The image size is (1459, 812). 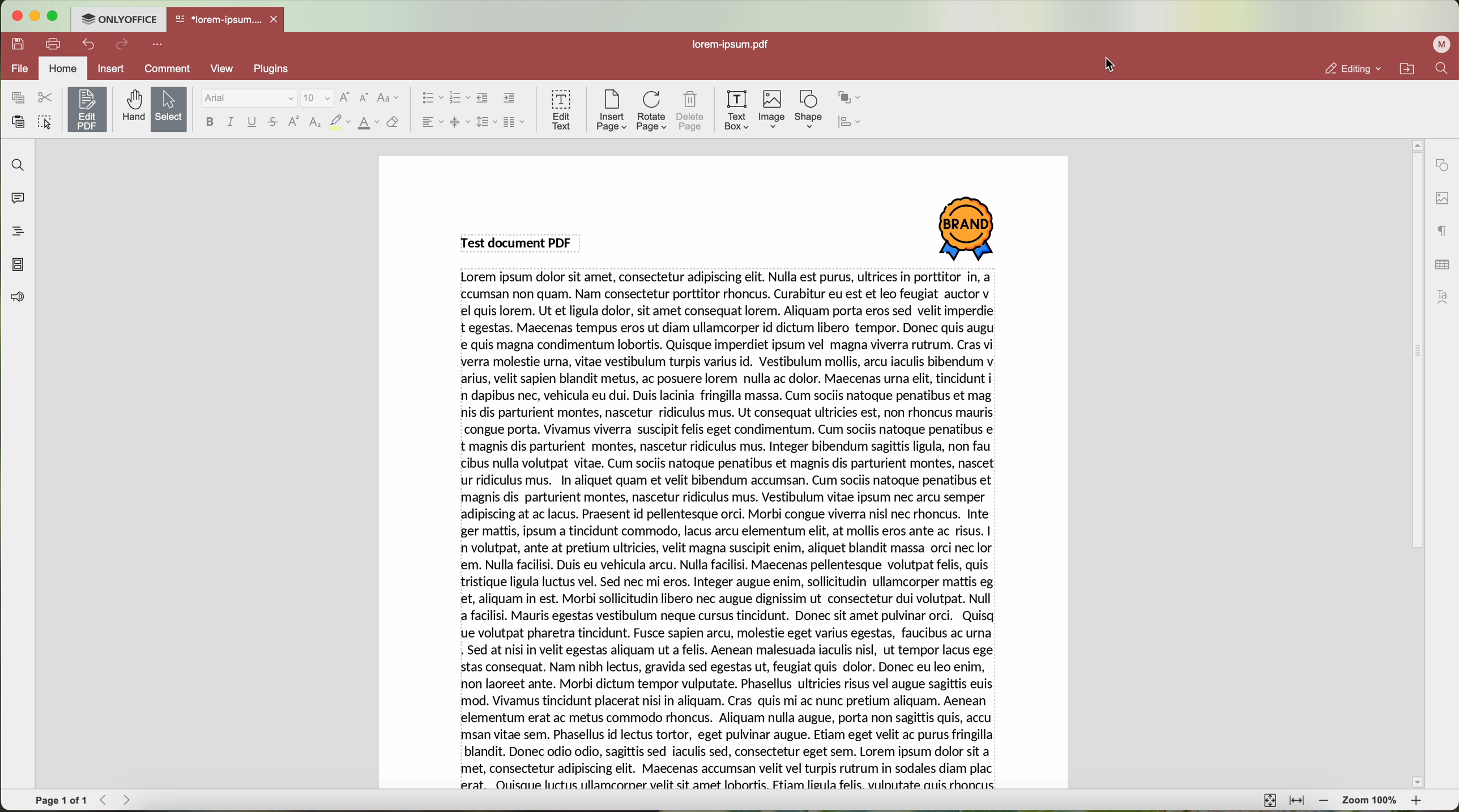 What do you see at coordinates (15, 164) in the screenshot?
I see `find` at bounding box center [15, 164].